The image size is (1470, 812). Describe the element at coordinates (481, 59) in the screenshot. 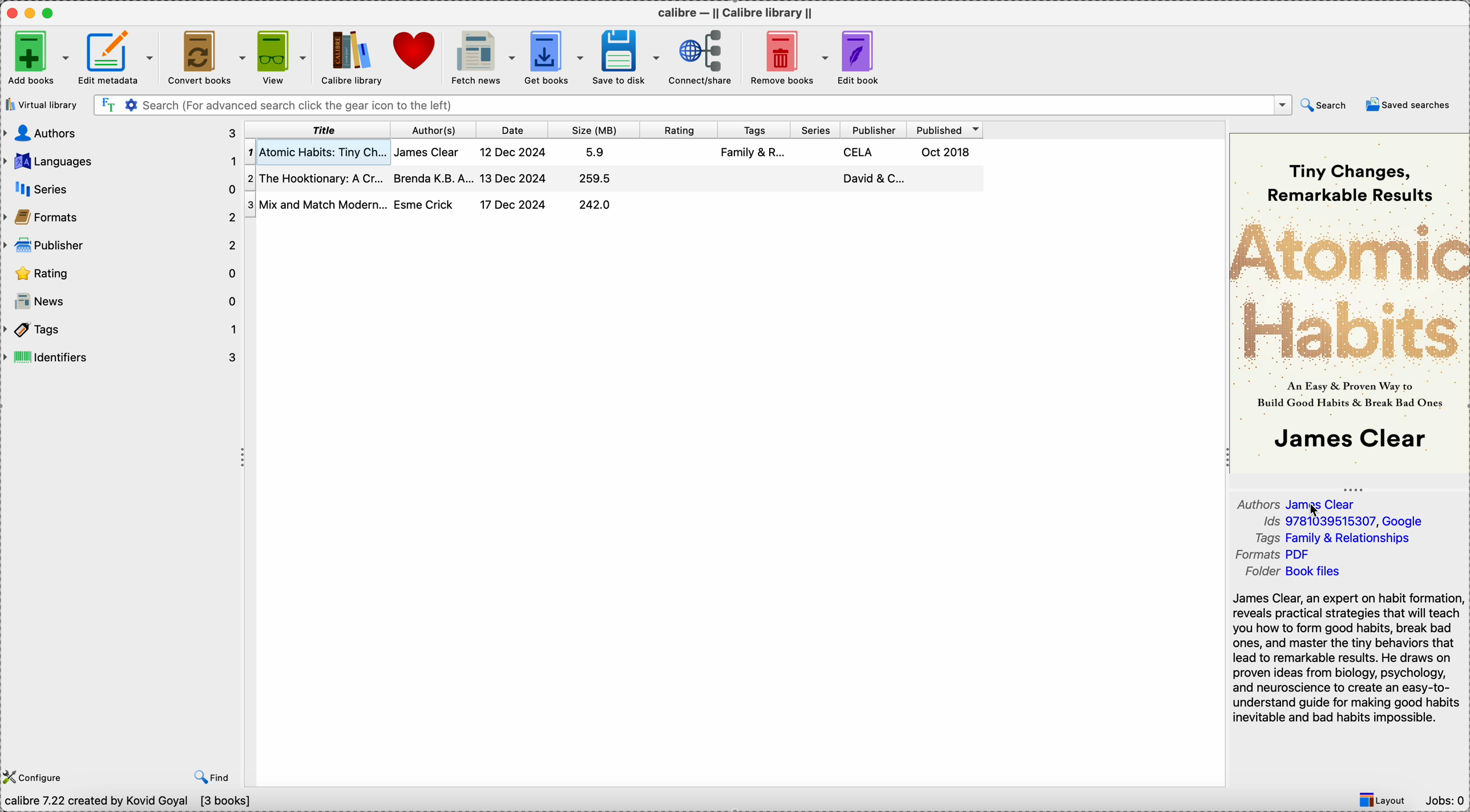

I see `fetch news` at that location.